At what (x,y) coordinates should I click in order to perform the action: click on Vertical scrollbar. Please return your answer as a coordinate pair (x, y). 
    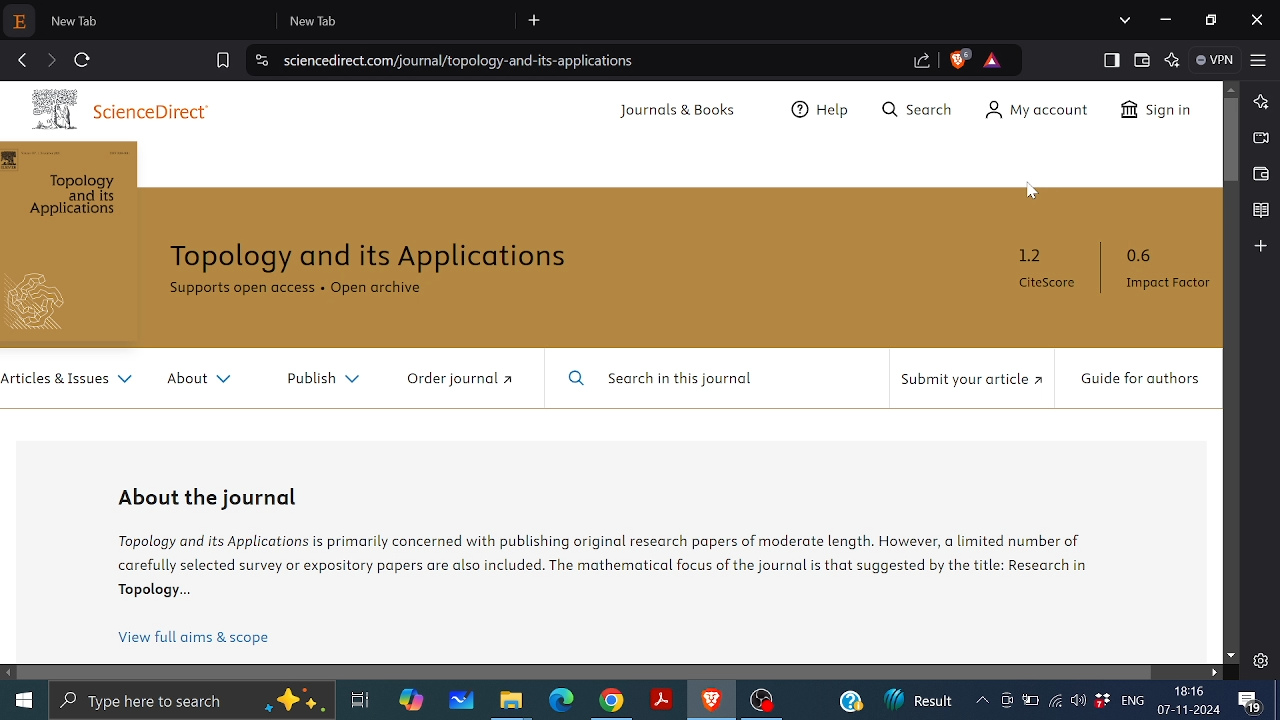
    Looking at the image, I should click on (1231, 140).